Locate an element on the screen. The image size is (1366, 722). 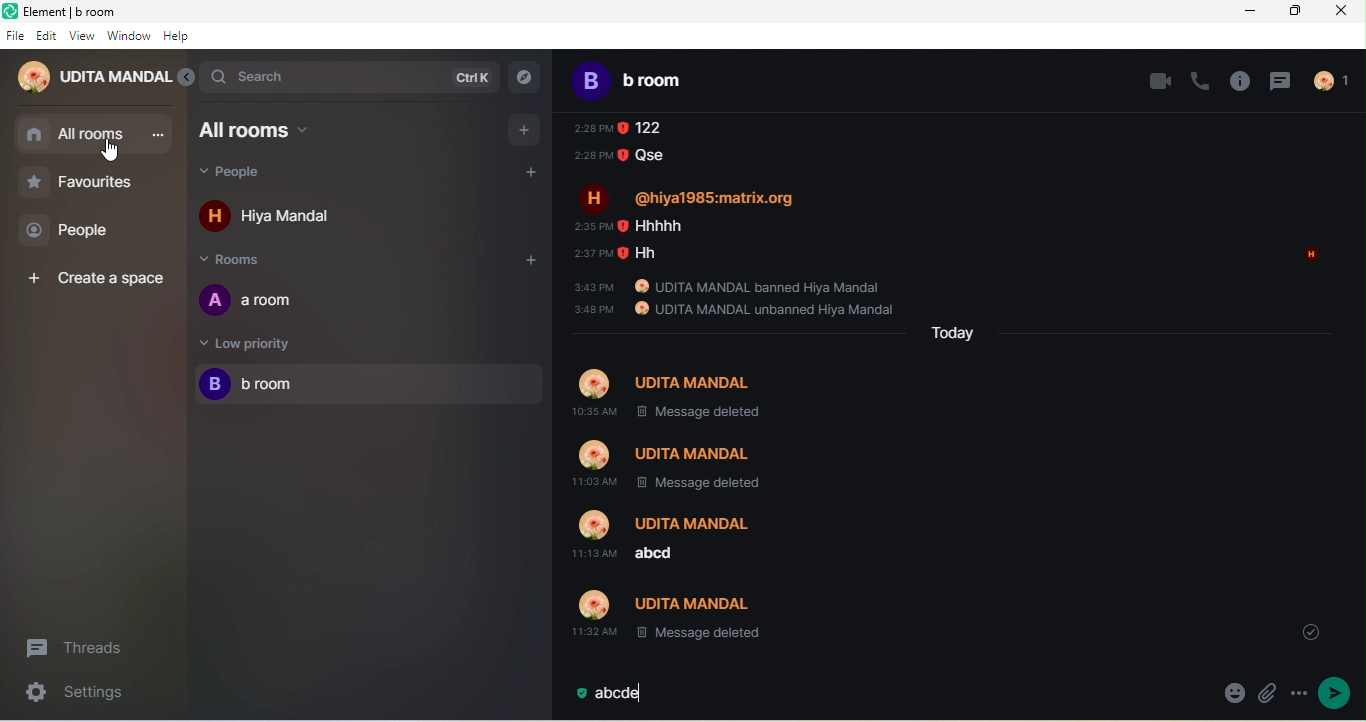
voice call is located at coordinates (1195, 79).